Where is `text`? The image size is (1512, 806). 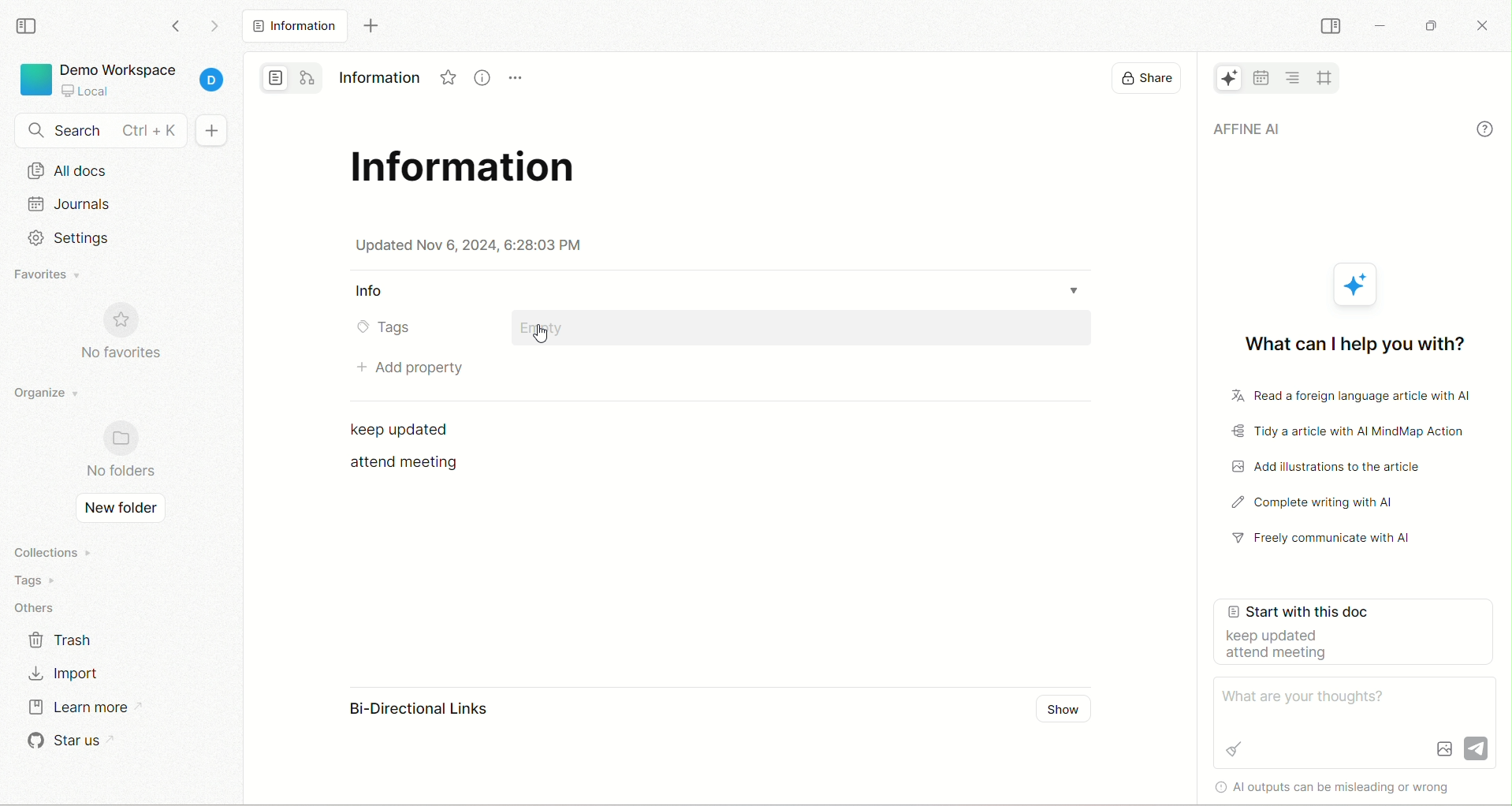 text is located at coordinates (409, 466).